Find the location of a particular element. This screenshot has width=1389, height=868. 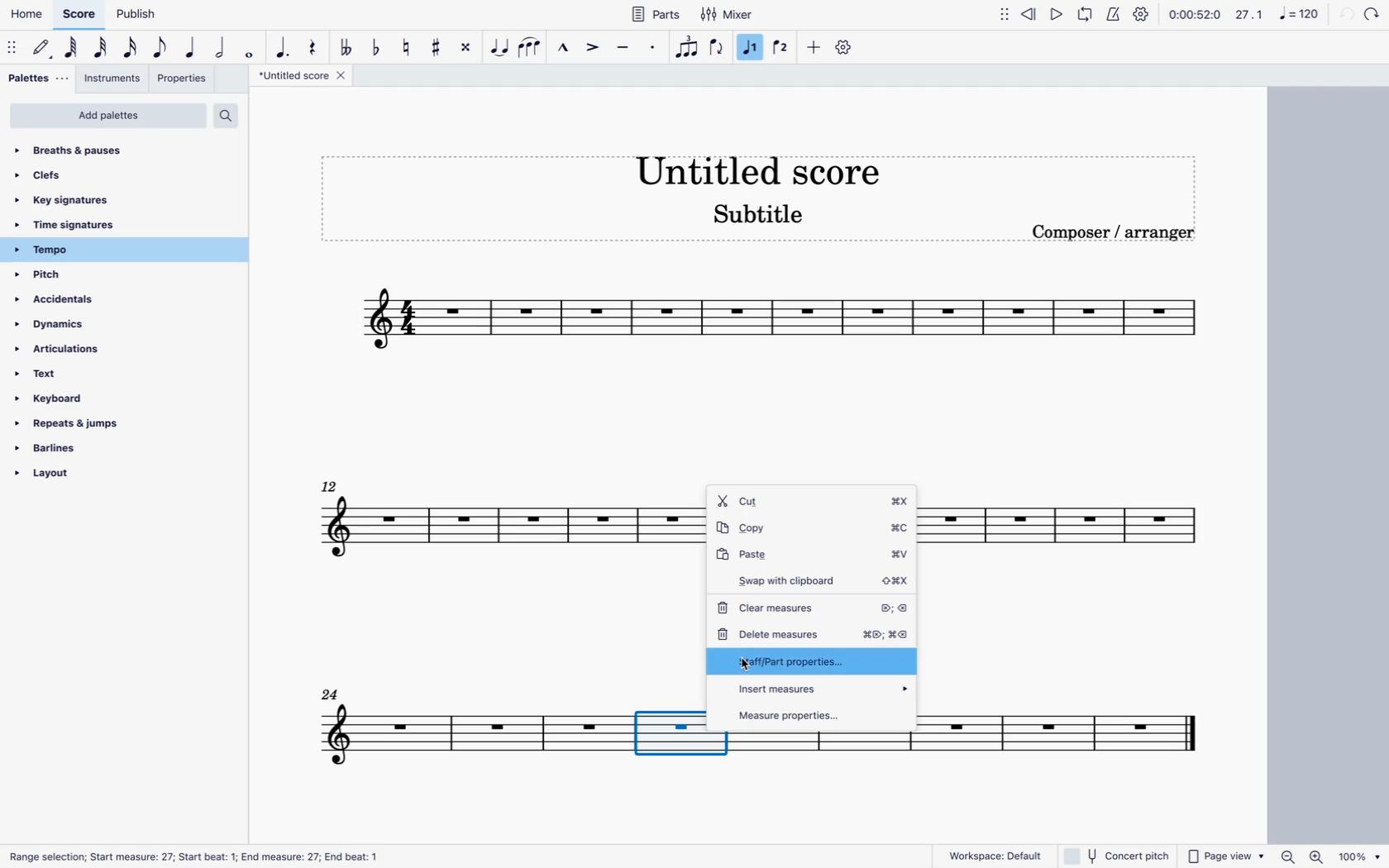

toggle double sharp is located at coordinates (464, 47).